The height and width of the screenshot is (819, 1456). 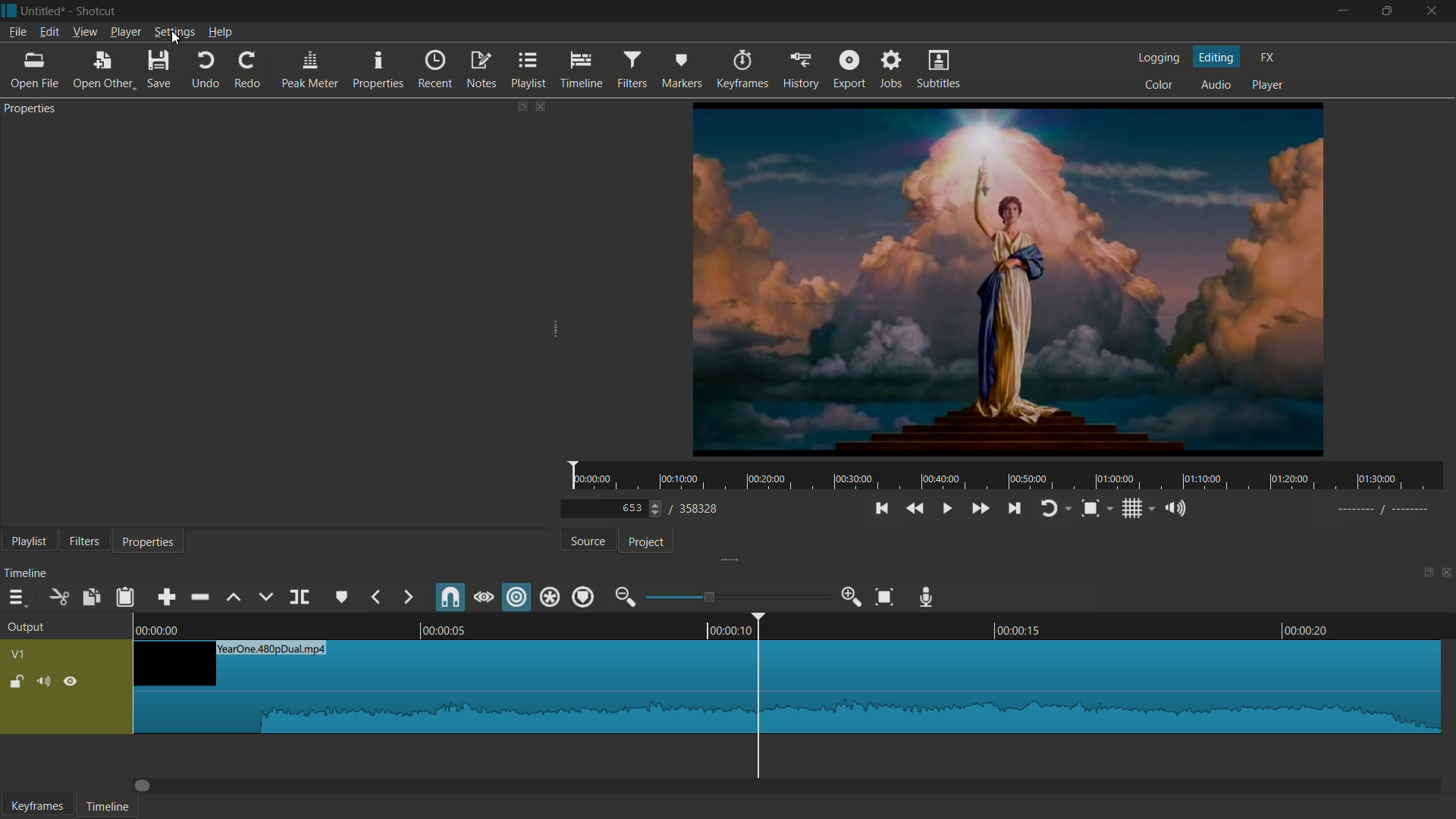 I want to click on next marker, so click(x=406, y=597).